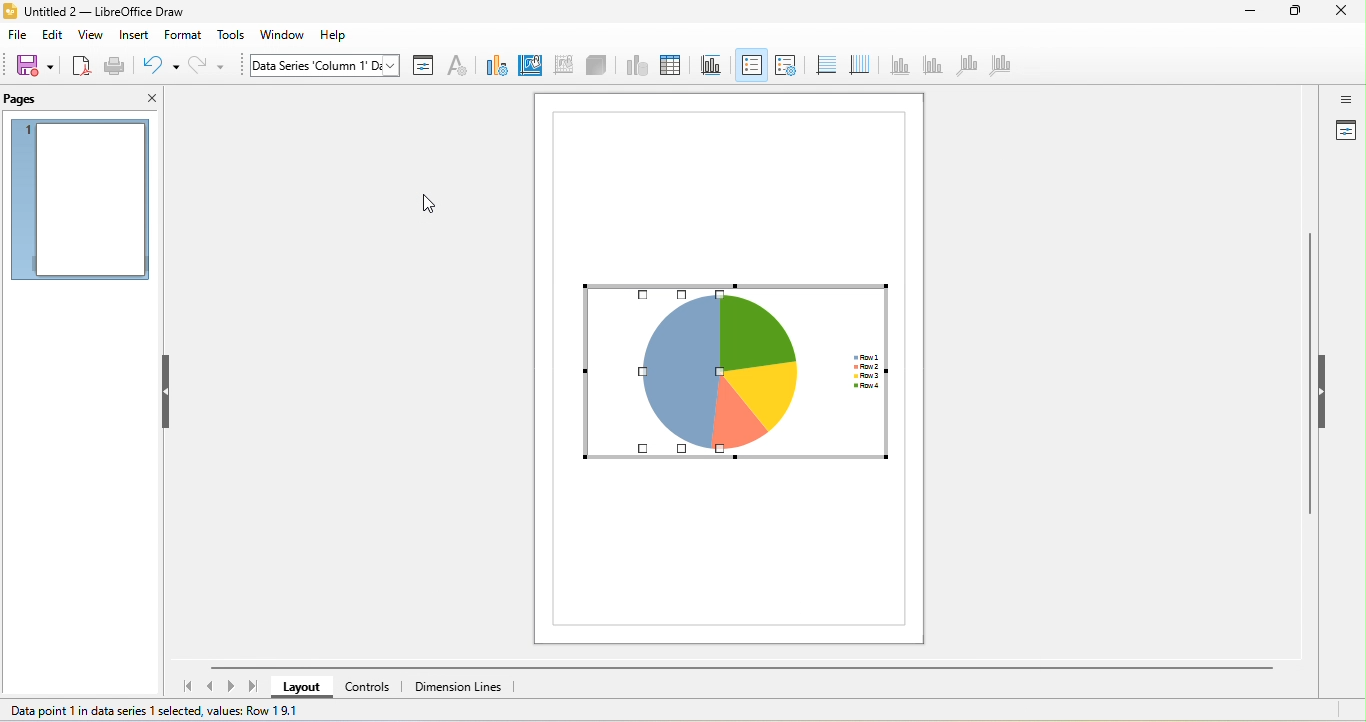  I want to click on format chat wall, so click(561, 64).